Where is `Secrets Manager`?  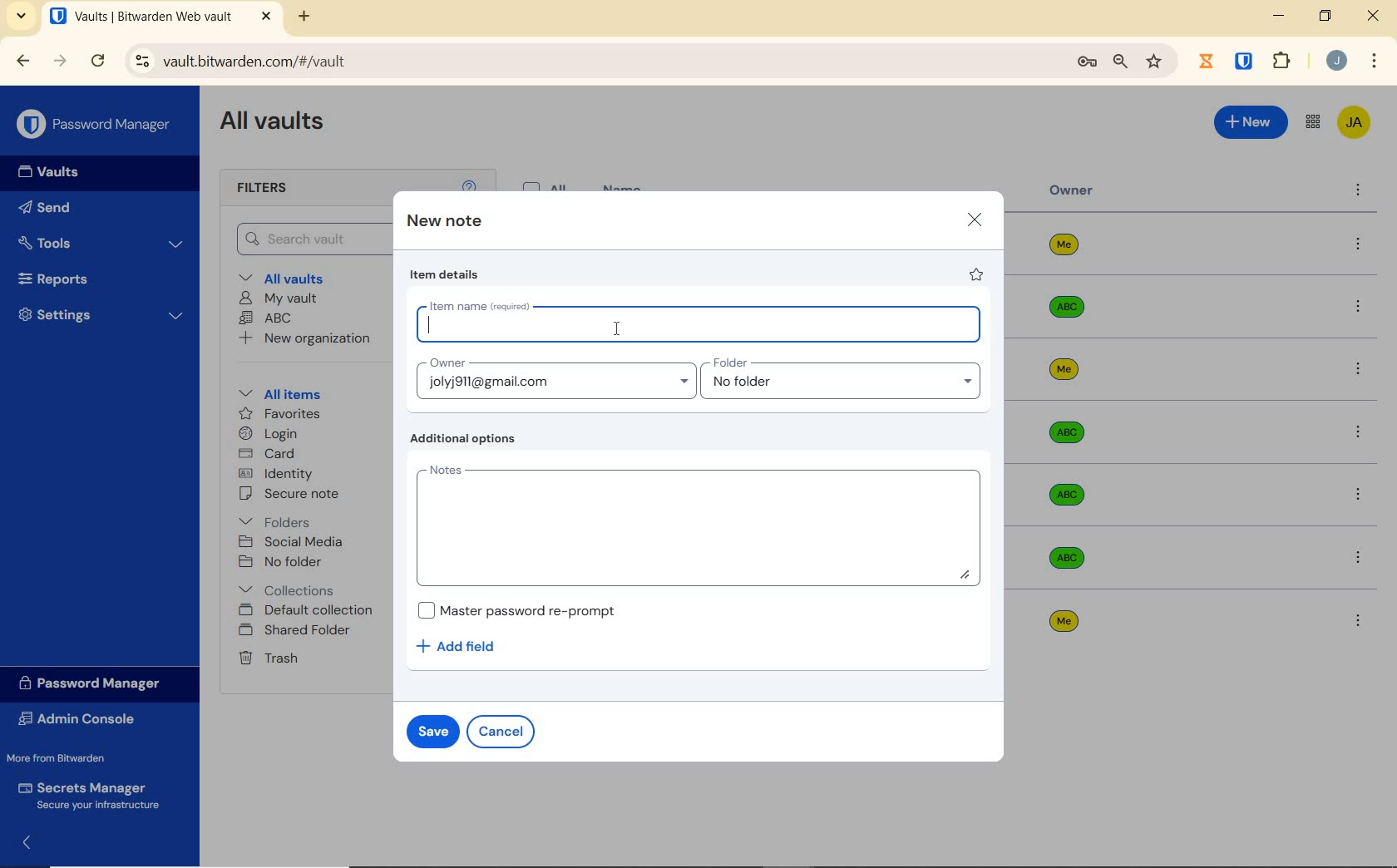
Secrets Manager is located at coordinates (93, 793).